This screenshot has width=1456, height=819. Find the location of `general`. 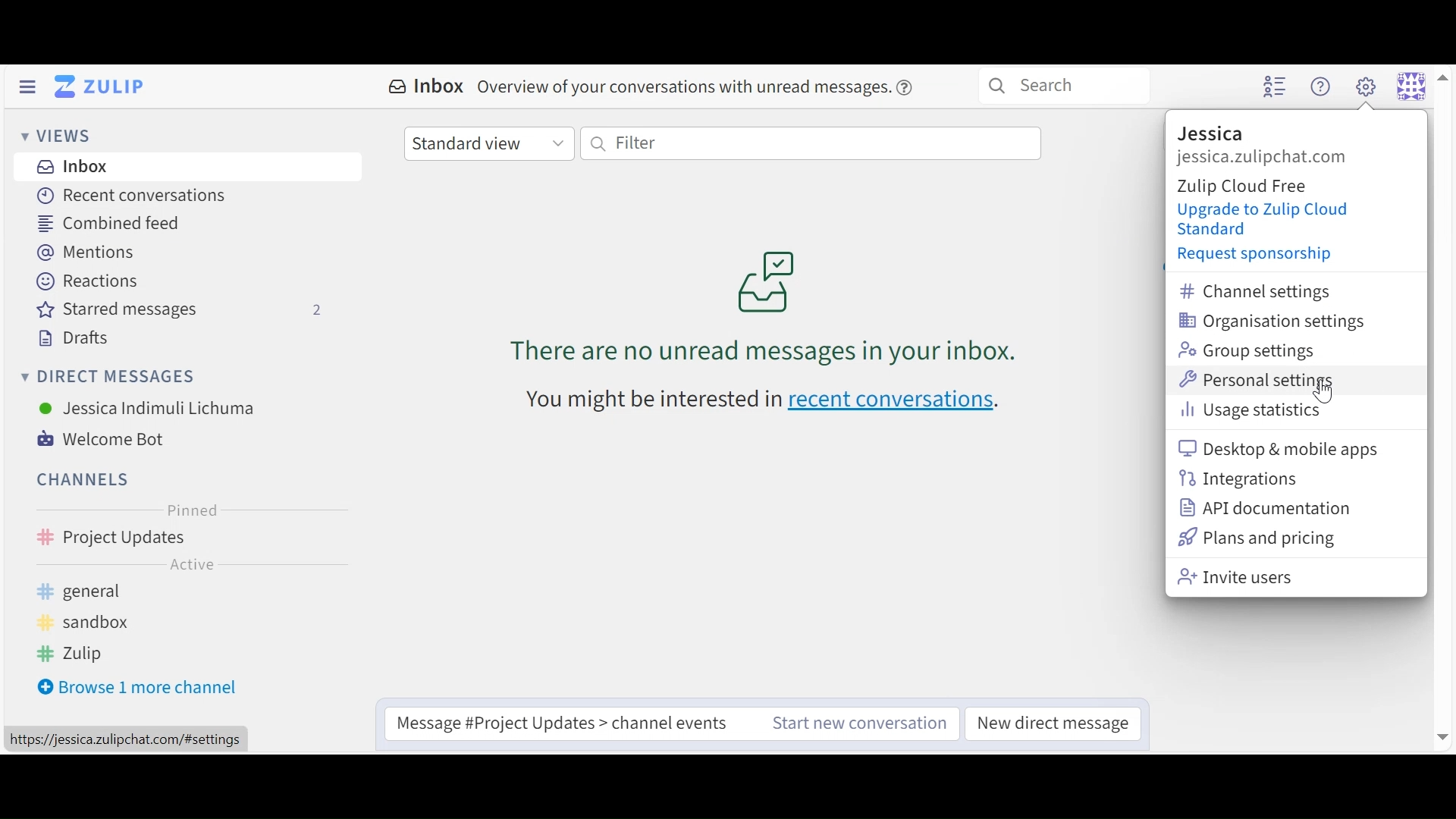

general is located at coordinates (84, 591).